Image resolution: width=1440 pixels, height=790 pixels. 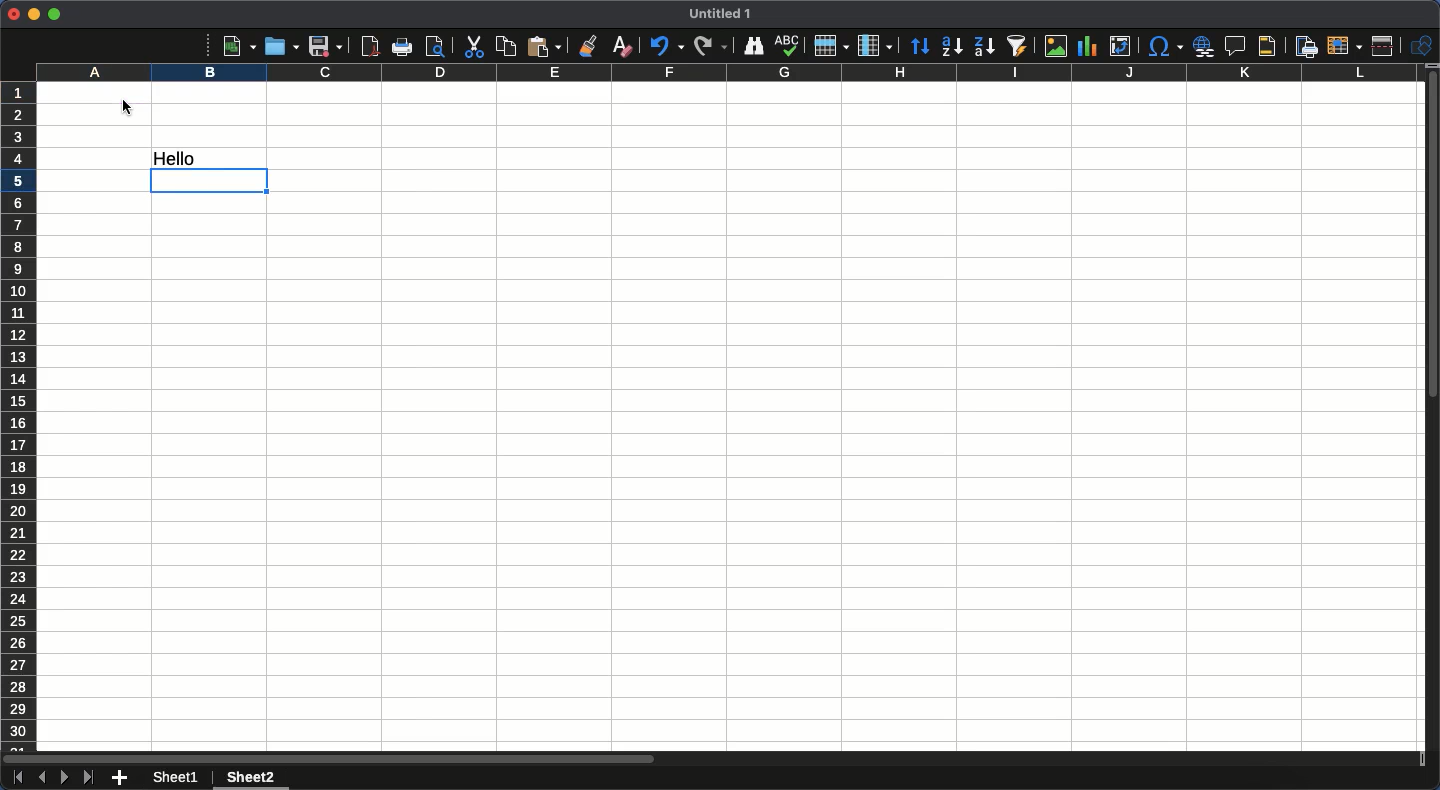 What do you see at coordinates (506, 46) in the screenshot?
I see `Copy` at bounding box center [506, 46].